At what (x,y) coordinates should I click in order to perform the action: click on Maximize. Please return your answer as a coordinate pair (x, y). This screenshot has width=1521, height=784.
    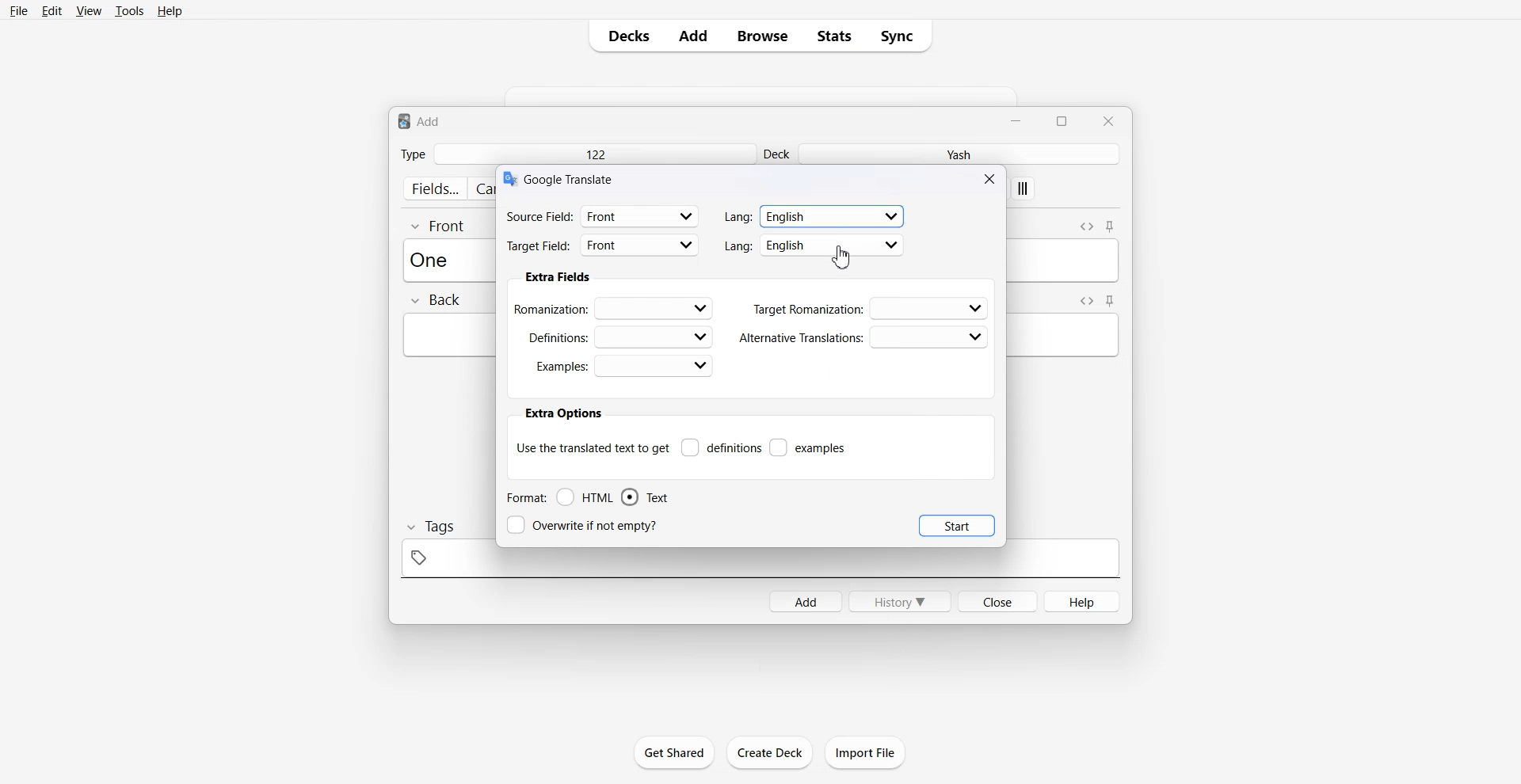
    Looking at the image, I should click on (1065, 120).